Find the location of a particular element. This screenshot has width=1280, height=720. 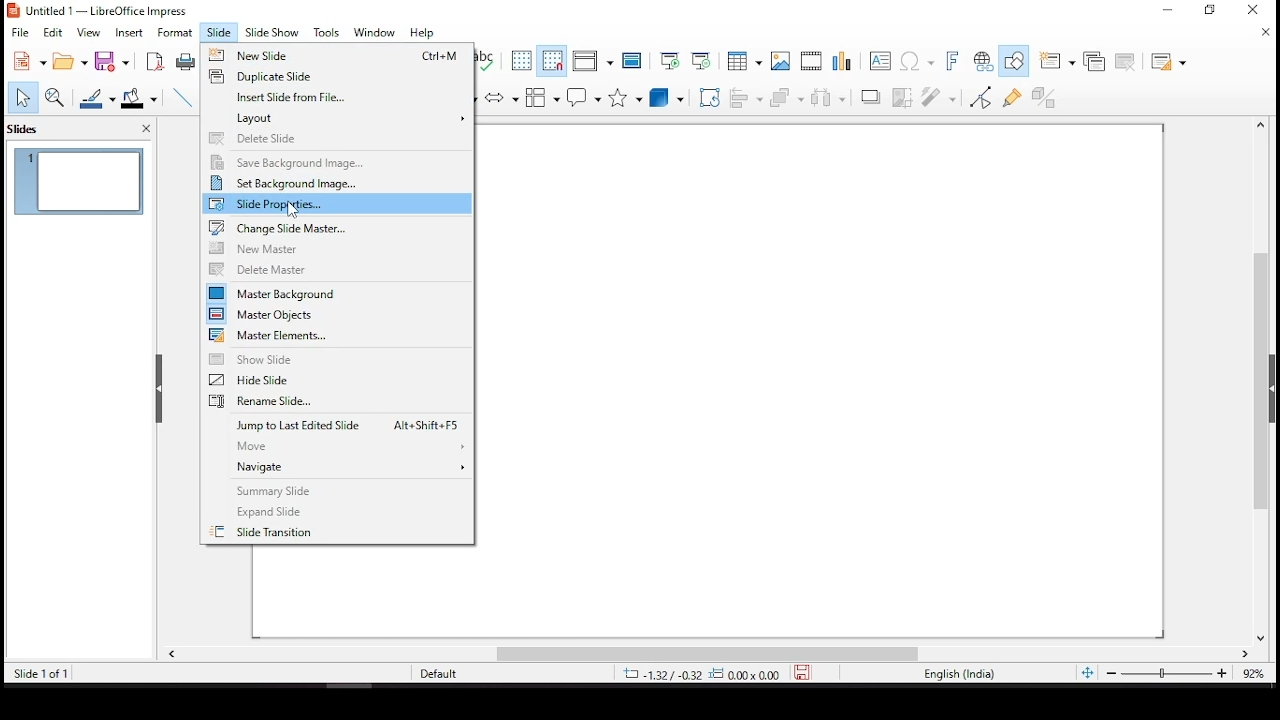

slide layout is located at coordinates (1167, 59).